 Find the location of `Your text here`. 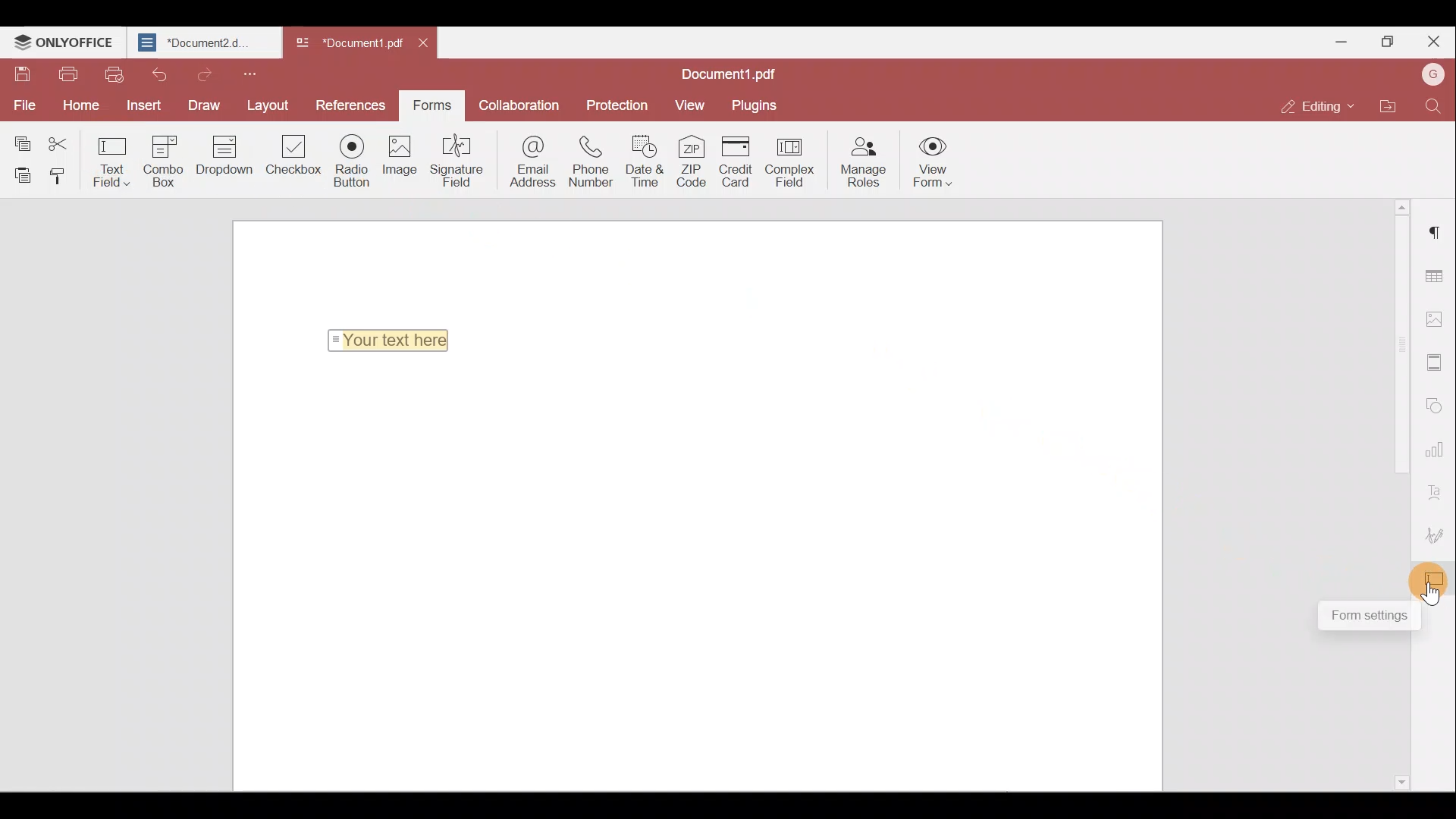

Your text here is located at coordinates (396, 337).